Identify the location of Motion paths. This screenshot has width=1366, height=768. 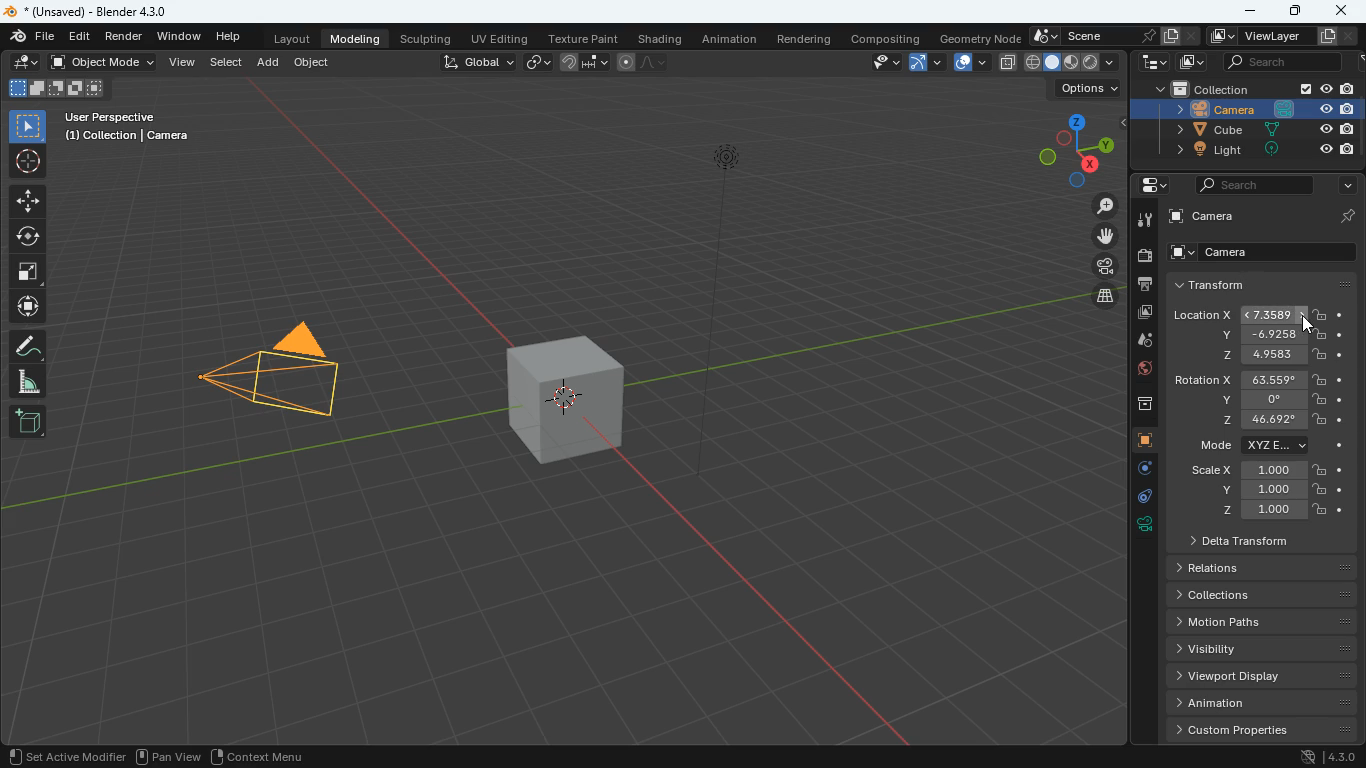
(1260, 622).